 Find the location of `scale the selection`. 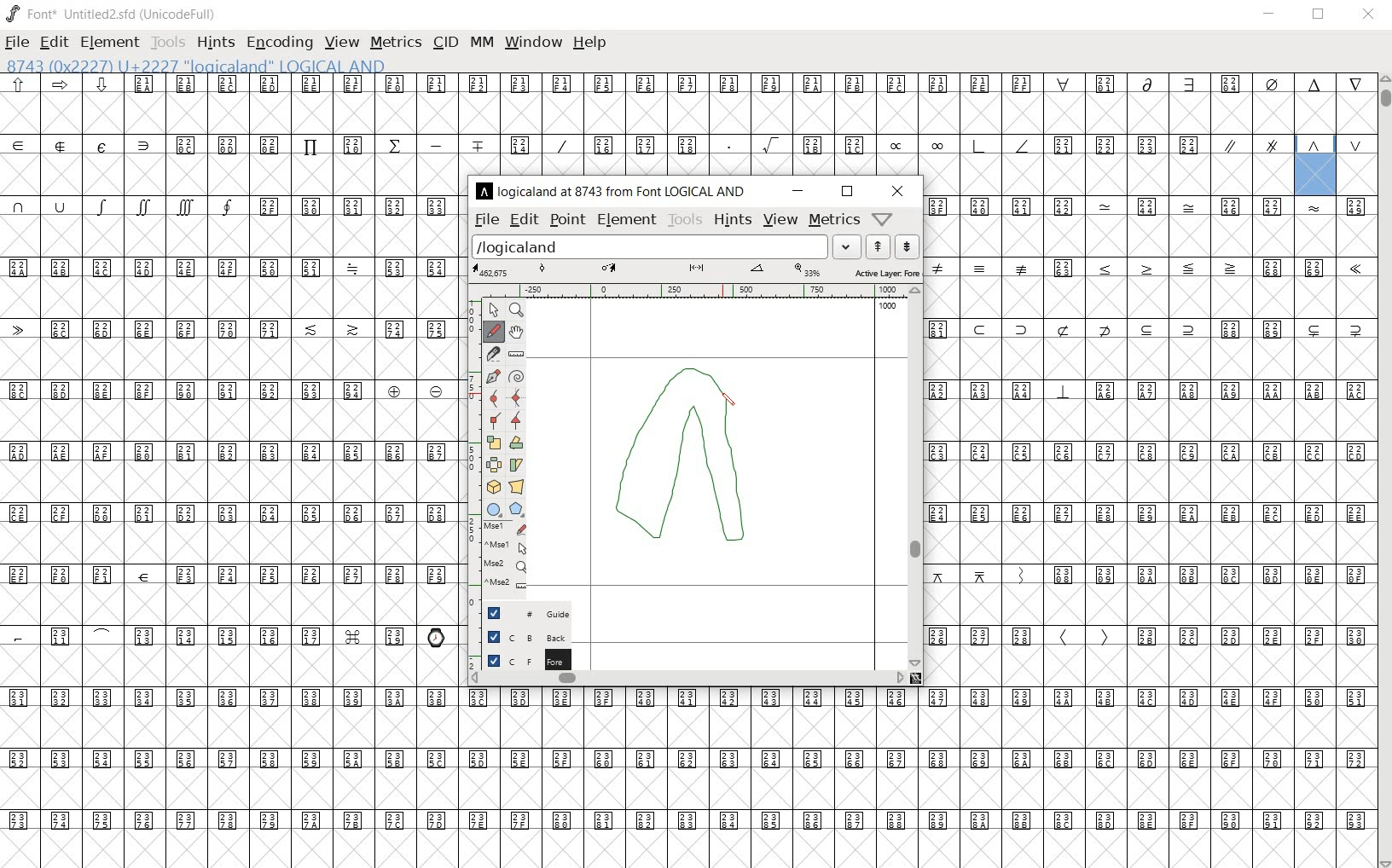

scale the selection is located at coordinates (495, 443).